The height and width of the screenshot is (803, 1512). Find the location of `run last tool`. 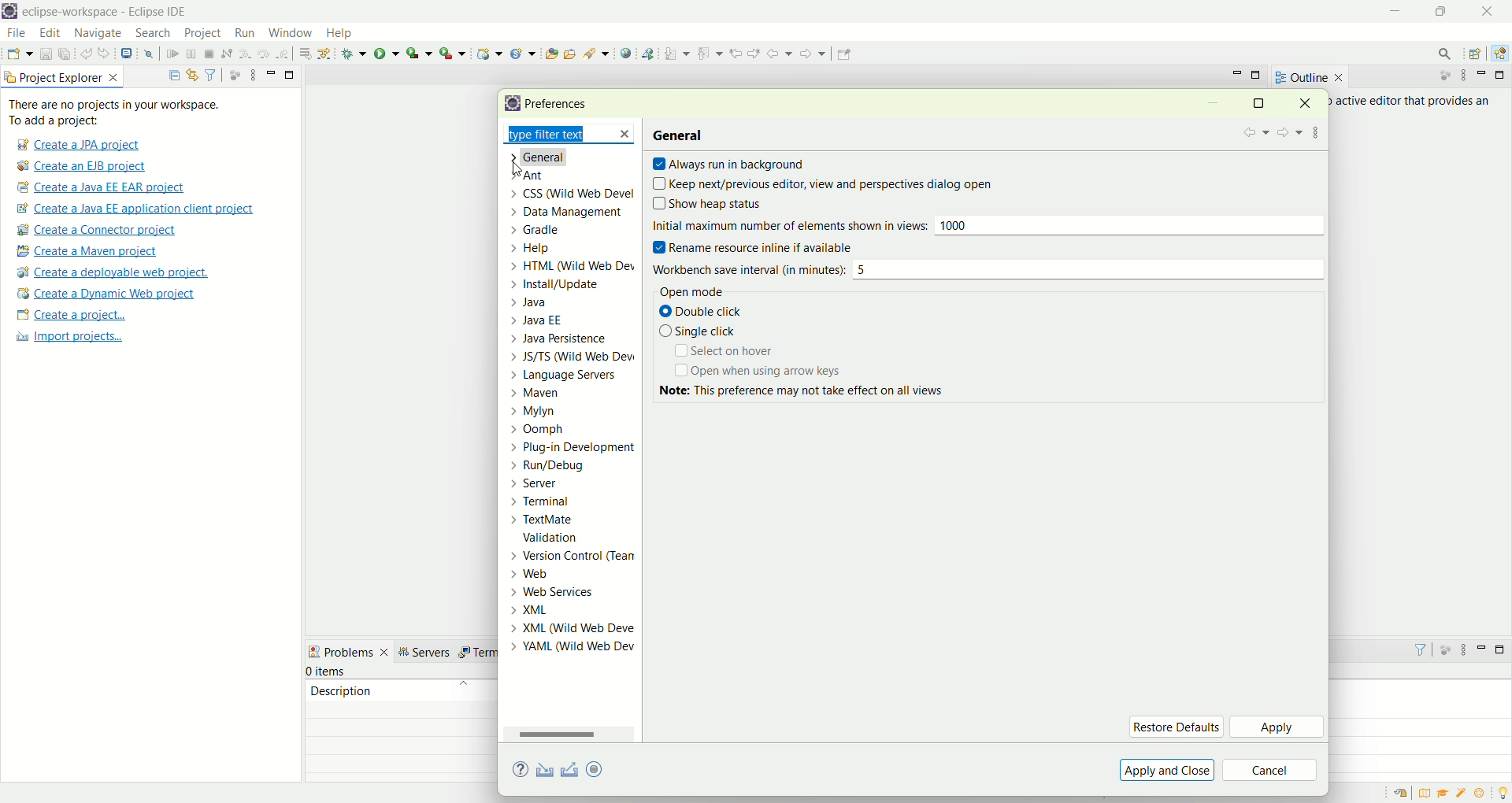

run last tool is located at coordinates (454, 53).